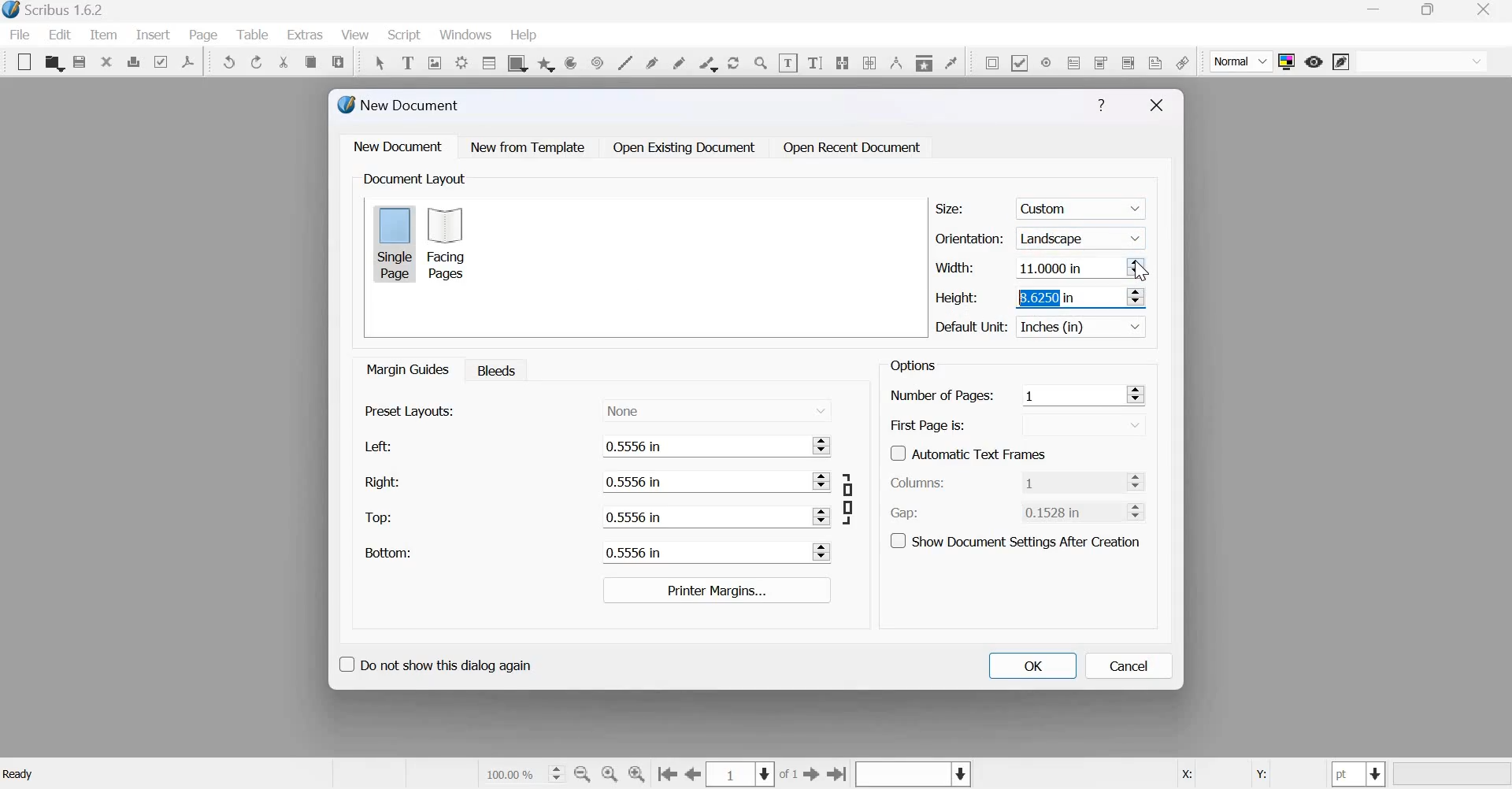 This screenshot has height=789, width=1512. I want to click on go to the previous page, so click(694, 774).